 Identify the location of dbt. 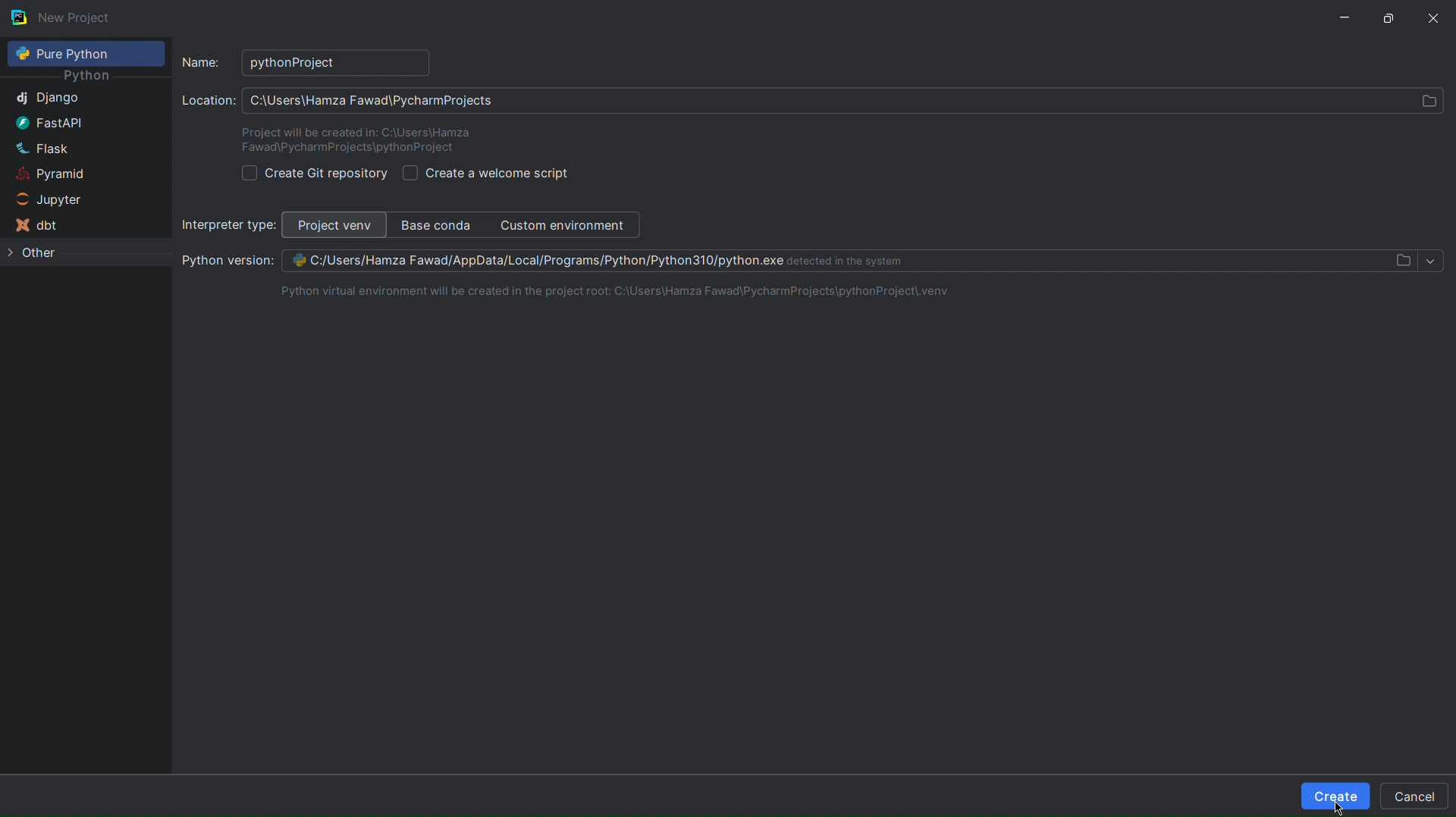
(36, 226).